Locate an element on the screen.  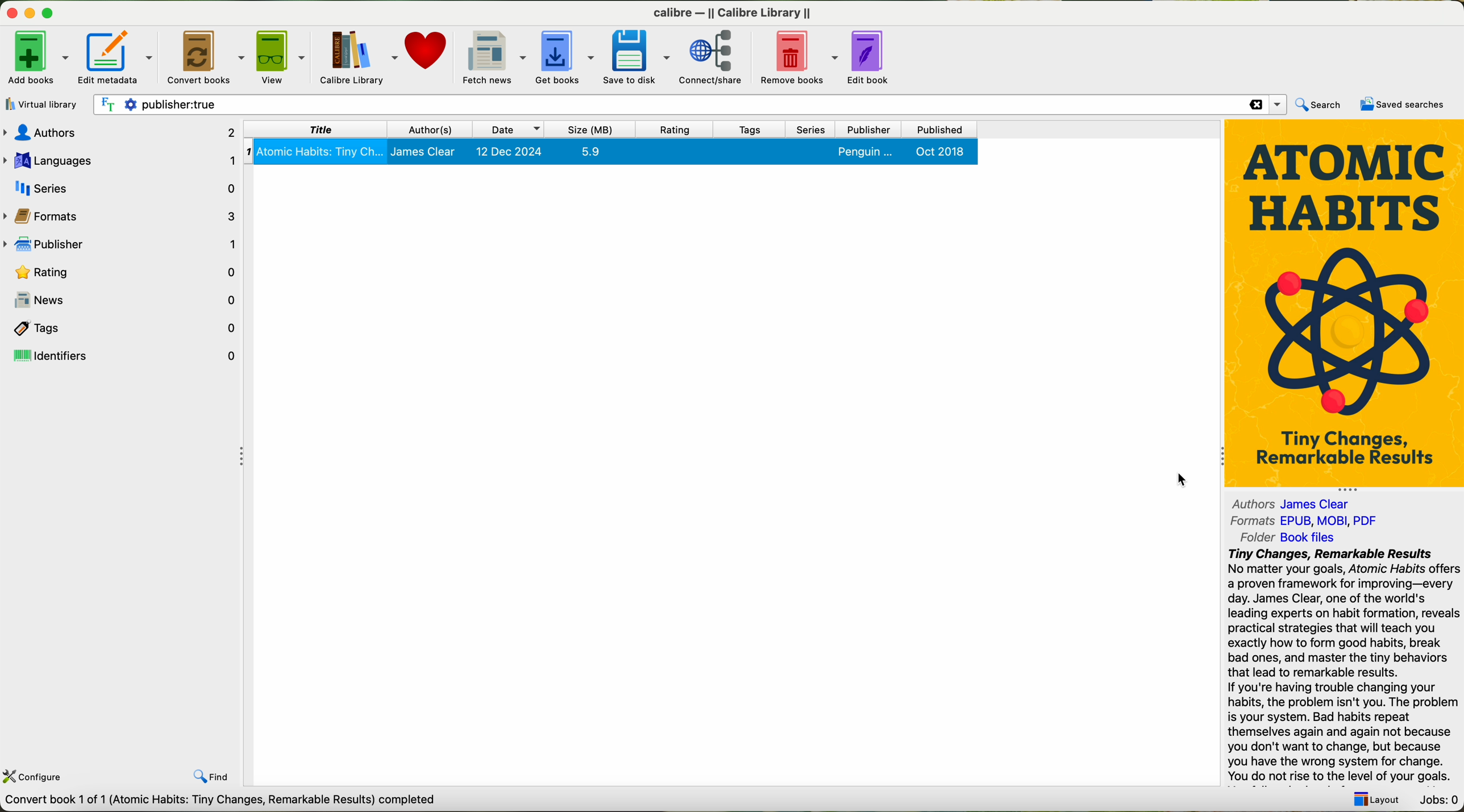
close is located at coordinates (36, 11).